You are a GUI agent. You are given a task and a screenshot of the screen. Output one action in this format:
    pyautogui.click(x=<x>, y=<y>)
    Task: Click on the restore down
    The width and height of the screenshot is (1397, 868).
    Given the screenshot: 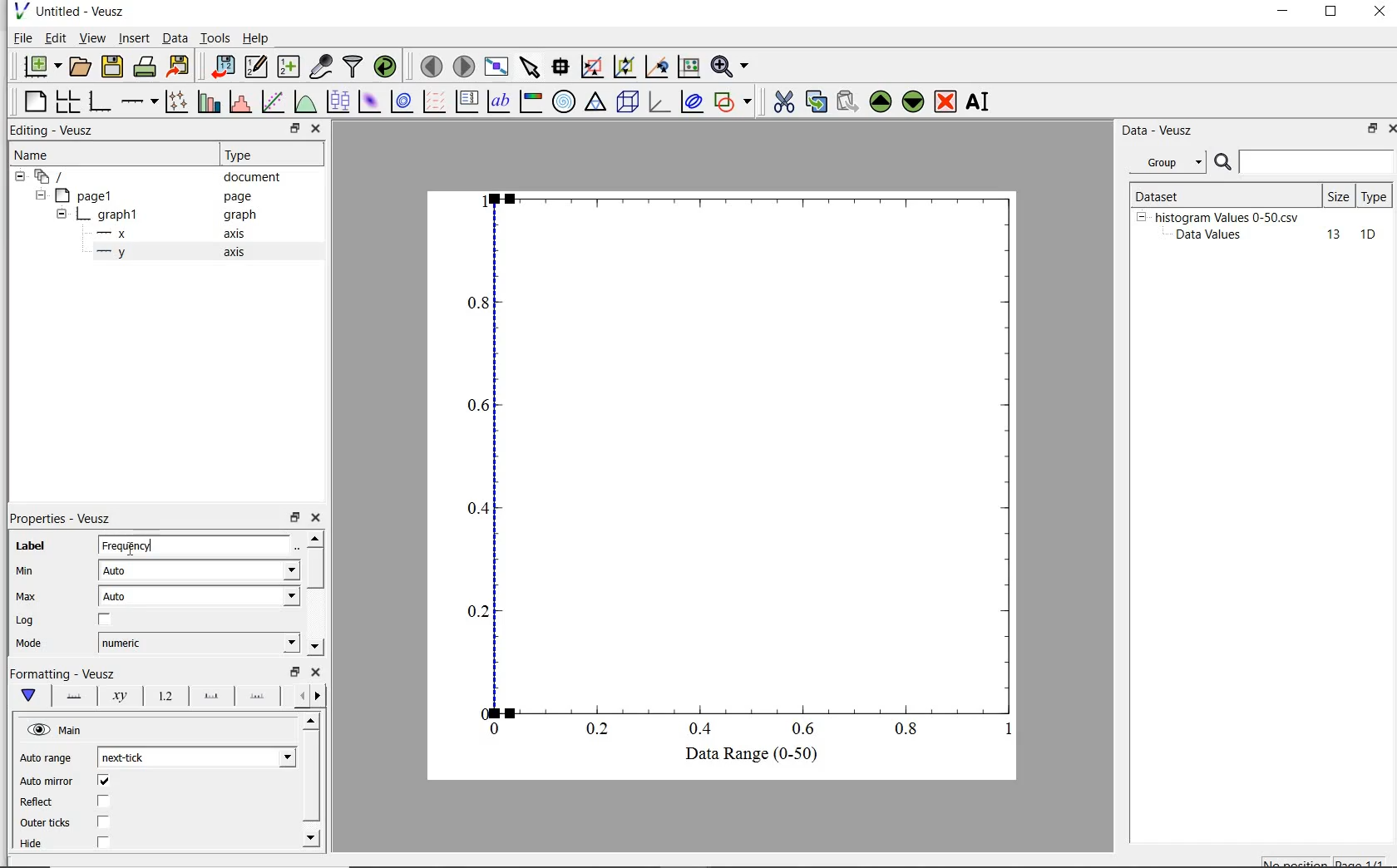 What is the action you would take?
    pyautogui.click(x=1331, y=13)
    